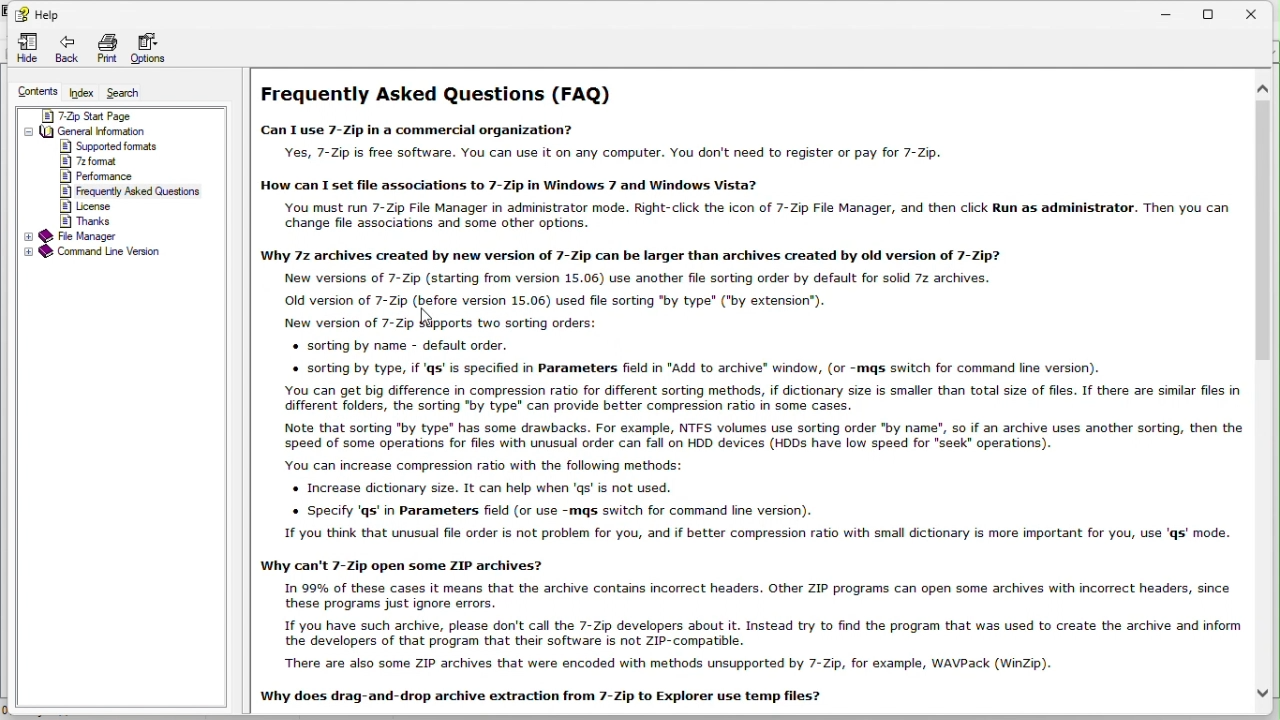 The height and width of the screenshot is (720, 1280). Describe the element at coordinates (152, 50) in the screenshot. I see `options` at that location.